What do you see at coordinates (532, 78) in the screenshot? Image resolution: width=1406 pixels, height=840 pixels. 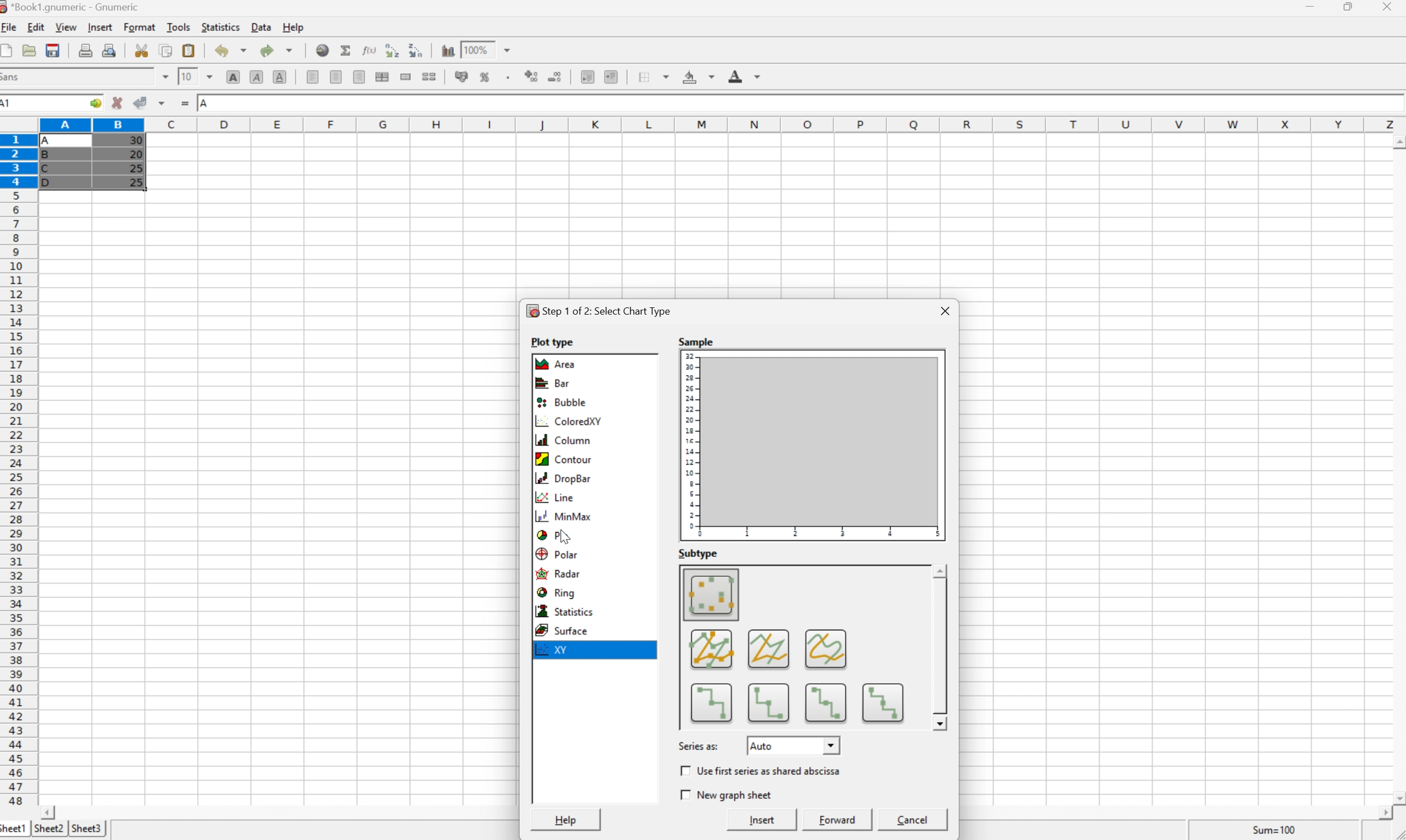 I see `Increase number of decimals displayed` at bounding box center [532, 78].